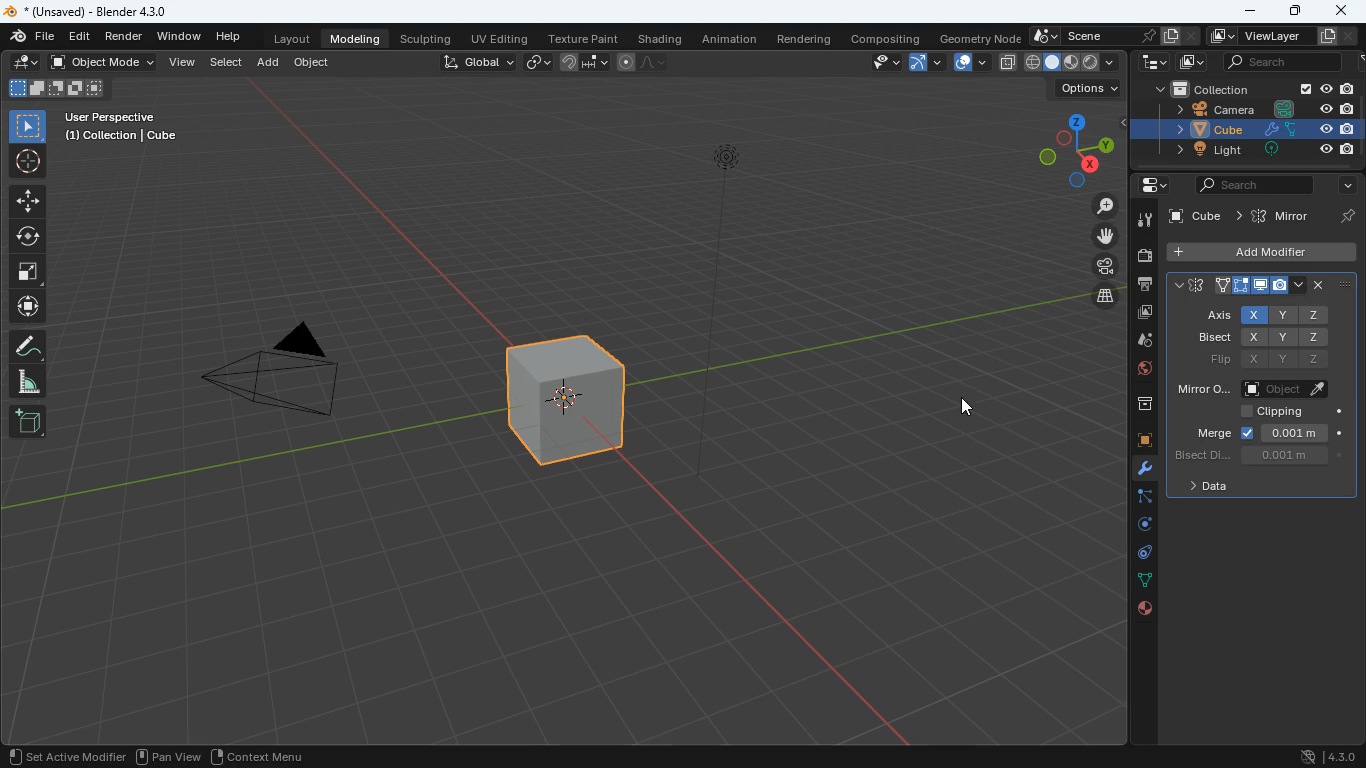 Image resolution: width=1366 pixels, height=768 pixels. What do you see at coordinates (20, 61) in the screenshot?
I see `edit` at bounding box center [20, 61].